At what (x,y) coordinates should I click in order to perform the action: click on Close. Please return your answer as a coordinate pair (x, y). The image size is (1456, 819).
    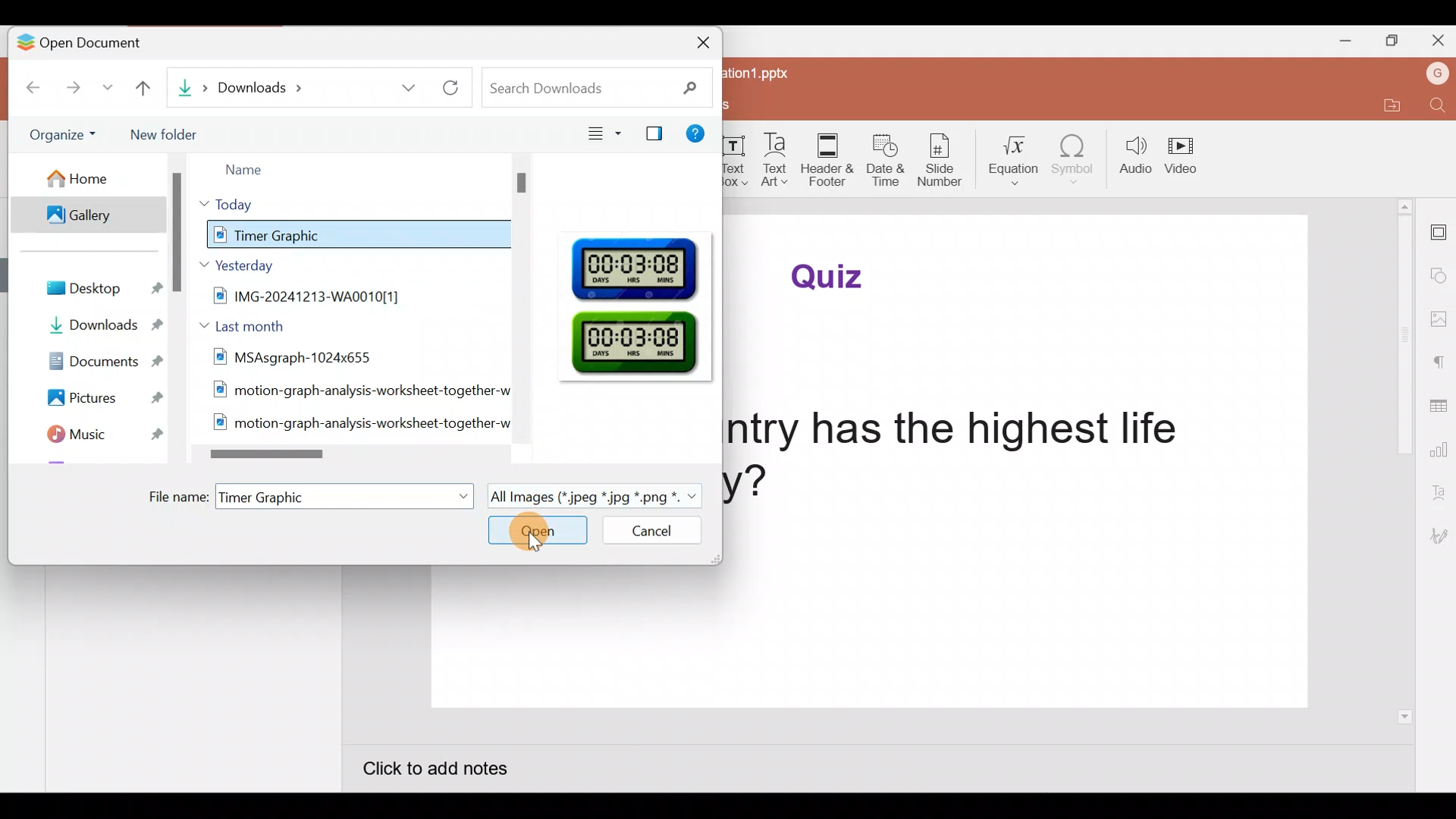
    Looking at the image, I should click on (1437, 41).